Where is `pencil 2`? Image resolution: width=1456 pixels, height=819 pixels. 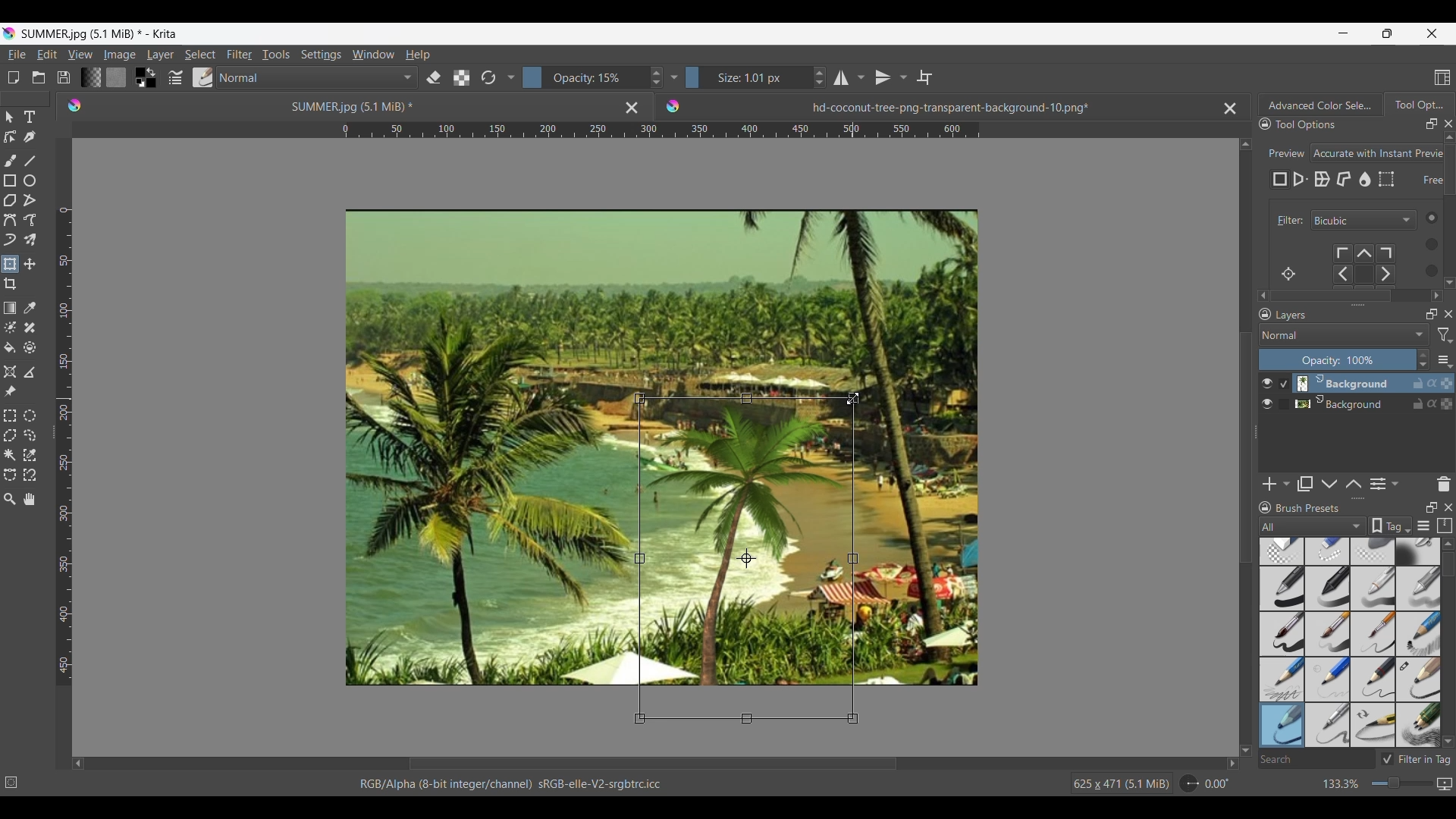 pencil 2 is located at coordinates (1374, 679).